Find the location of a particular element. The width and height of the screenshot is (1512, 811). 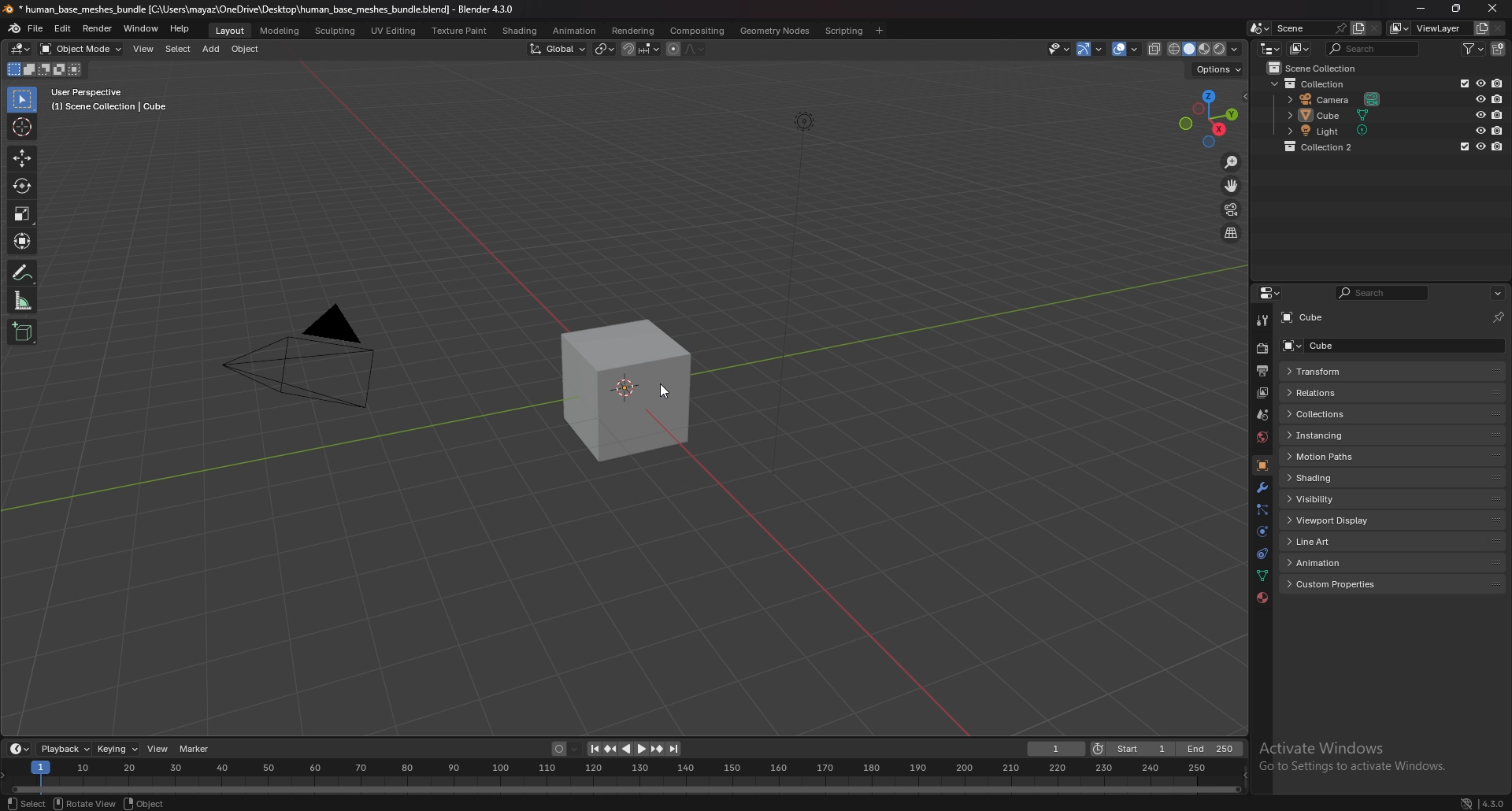

particles is located at coordinates (1262, 510).